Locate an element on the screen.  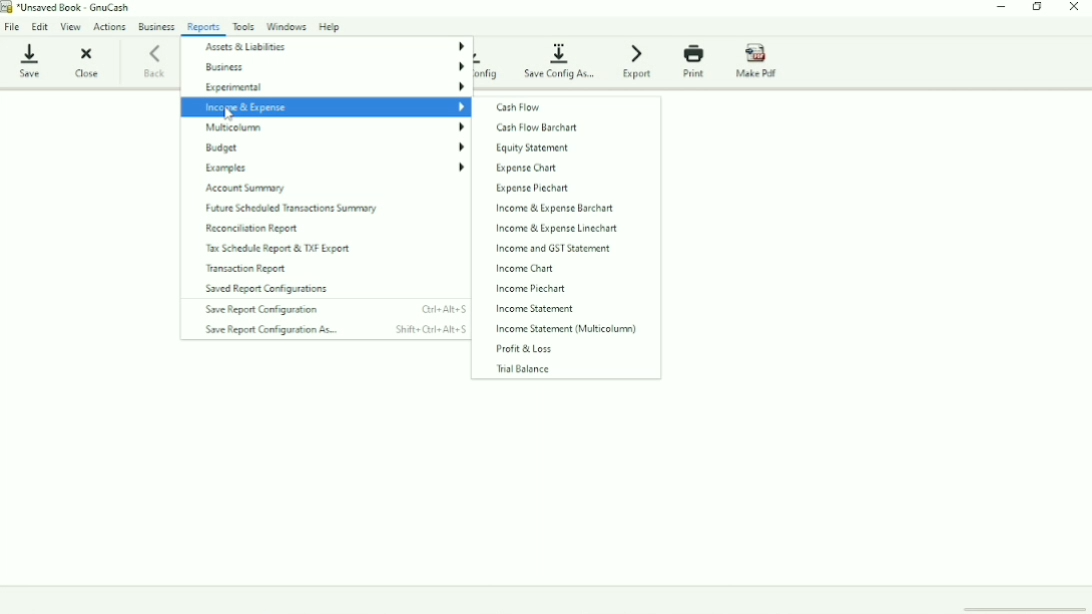
Close is located at coordinates (1074, 8).